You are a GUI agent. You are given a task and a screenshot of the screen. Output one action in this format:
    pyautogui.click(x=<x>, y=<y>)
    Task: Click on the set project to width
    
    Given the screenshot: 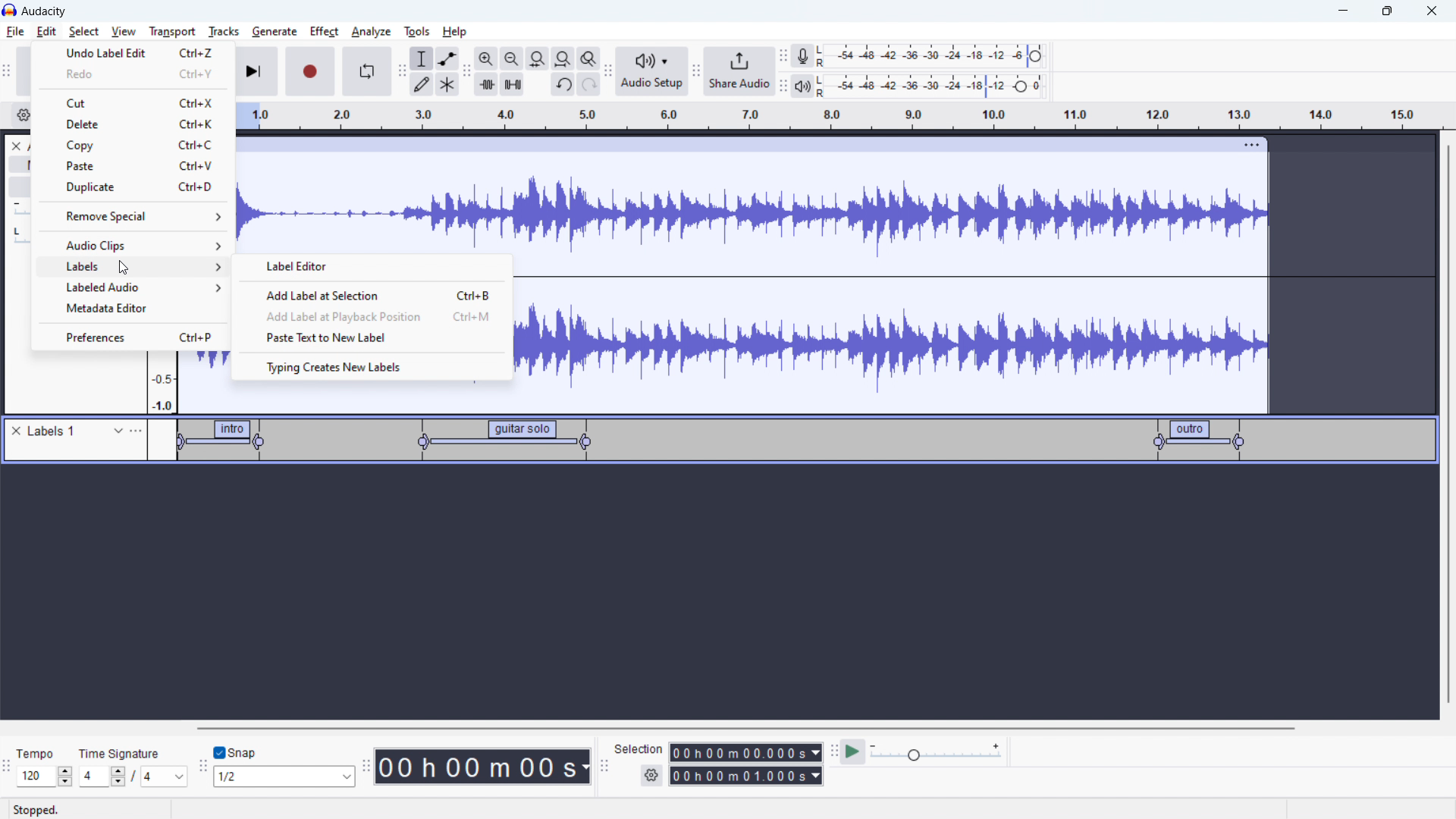 What is the action you would take?
    pyautogui.click(x=563, y=58)
    